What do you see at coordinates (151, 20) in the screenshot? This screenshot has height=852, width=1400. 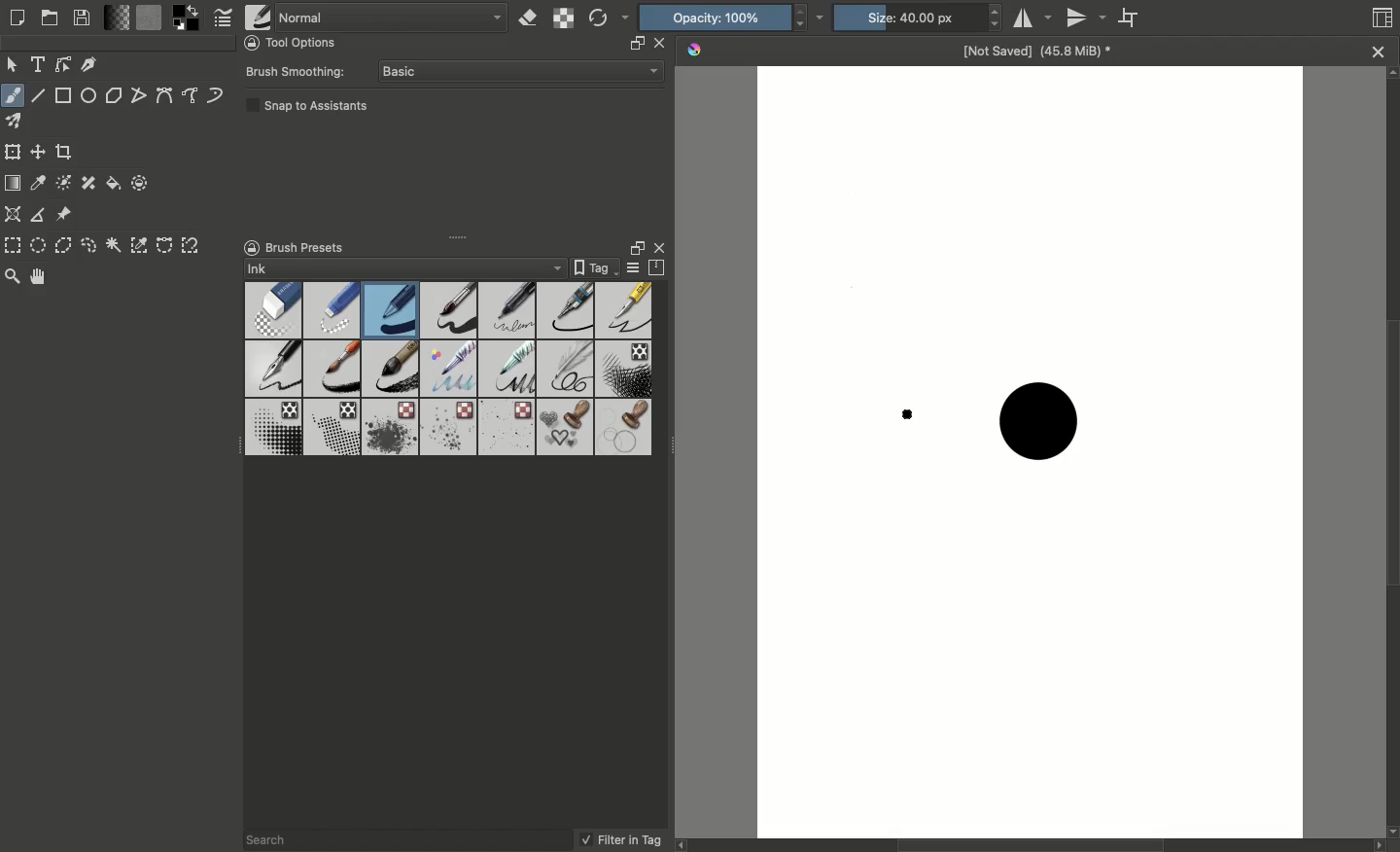 I see `Fill patterns` at bounding box center [151, 20].